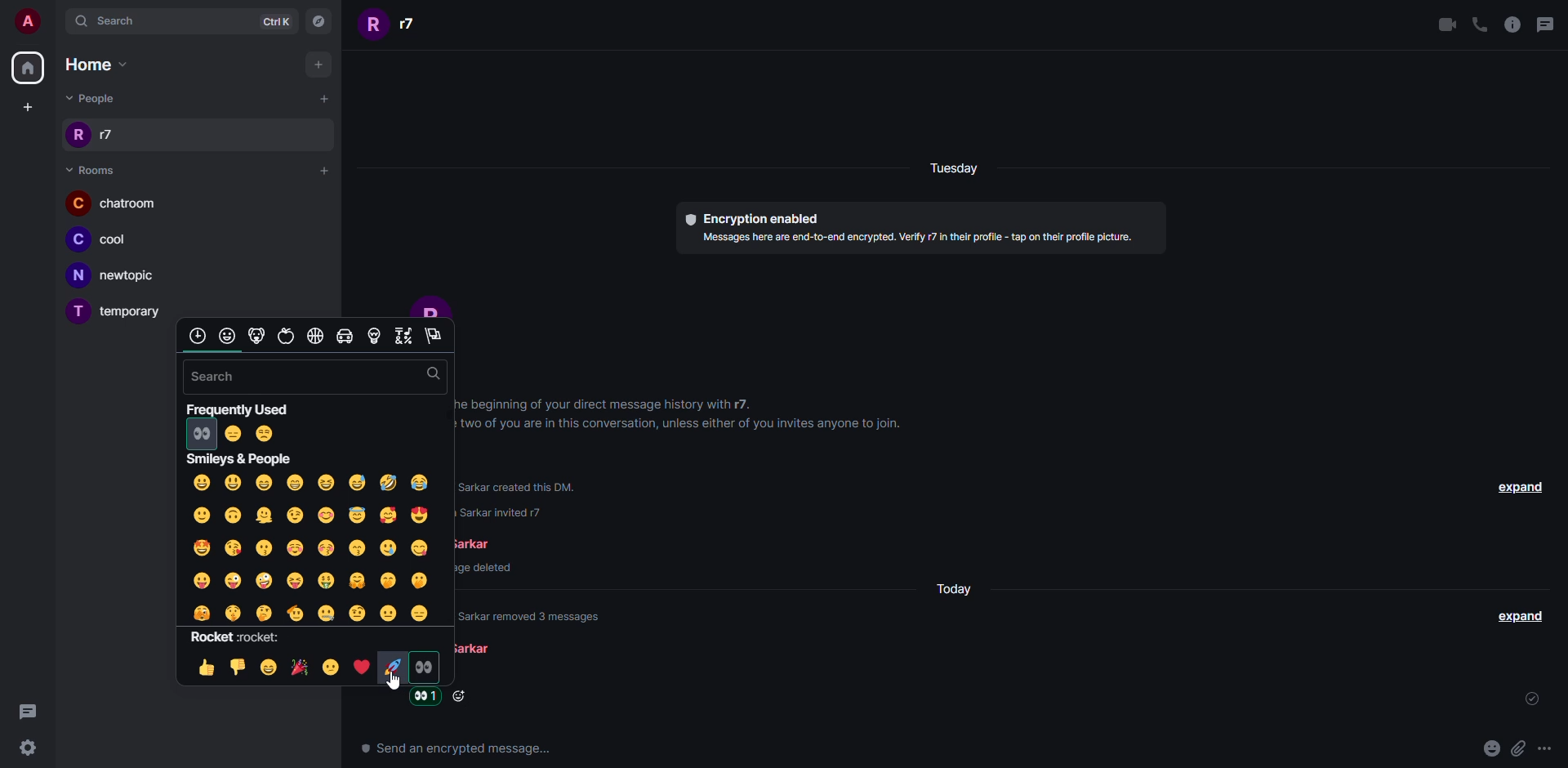 This screenshot has height=768, width=1568. I want to click on encryption enabled, so click(751, 218).